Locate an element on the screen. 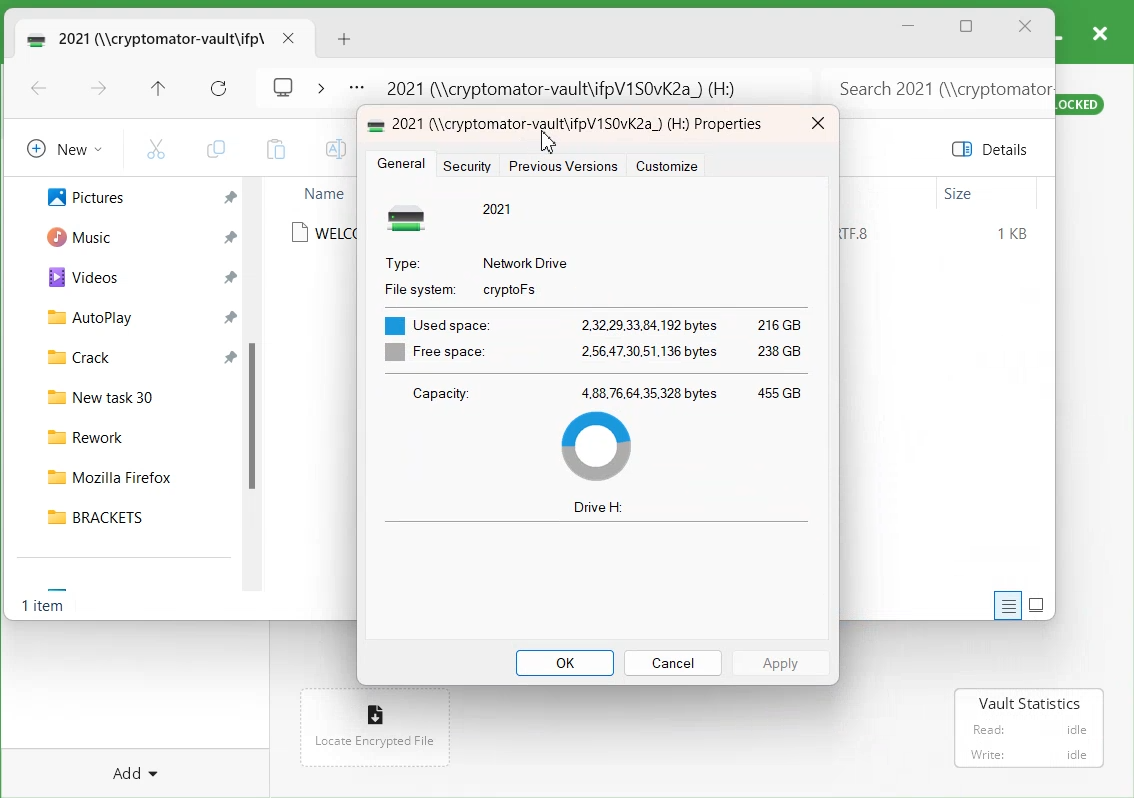 This screenshot has width=1134, height=798. close is located at coordinates (1099, 32).